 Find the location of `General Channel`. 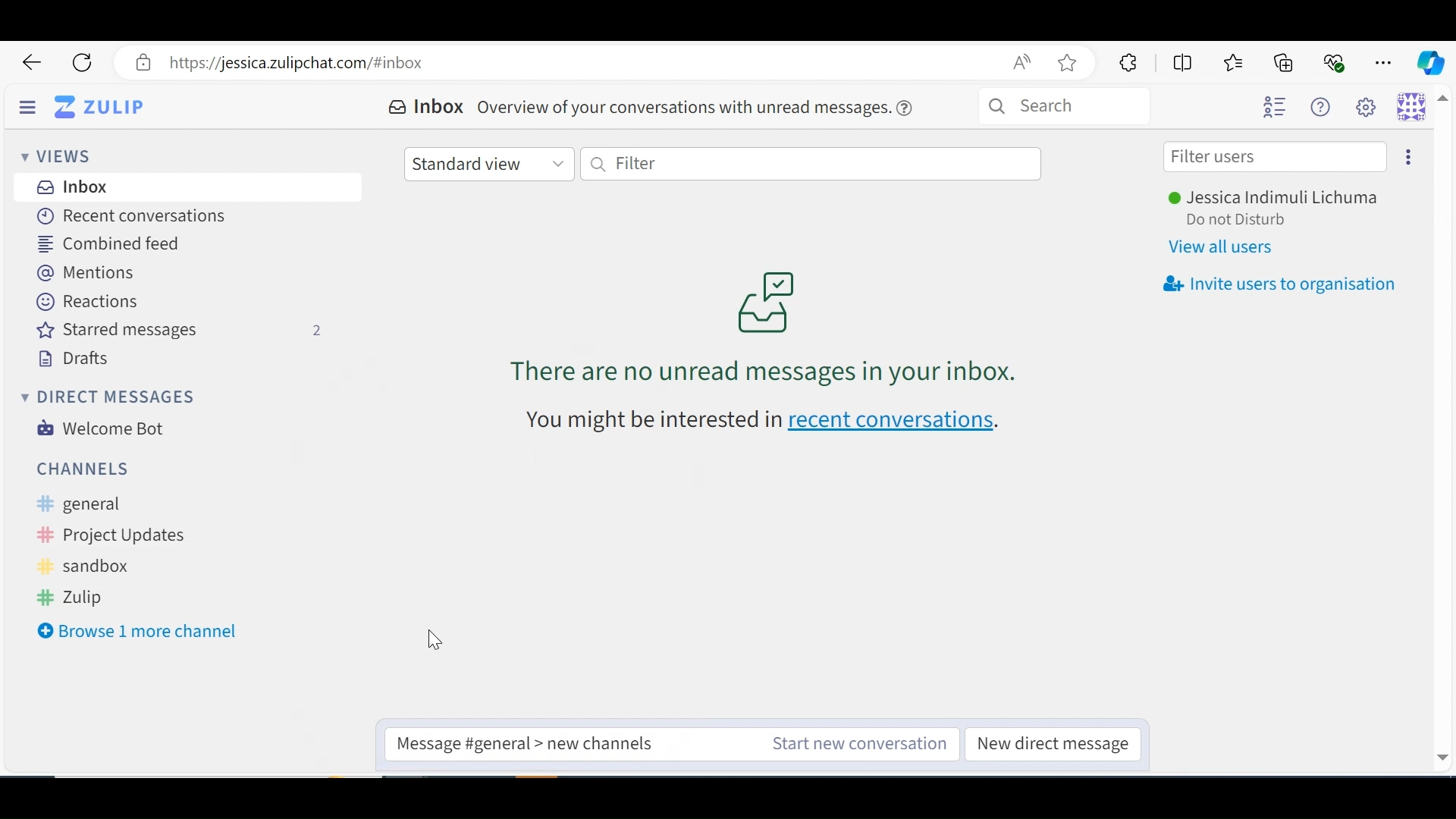

General Channel is located at coordinates (176, 505).